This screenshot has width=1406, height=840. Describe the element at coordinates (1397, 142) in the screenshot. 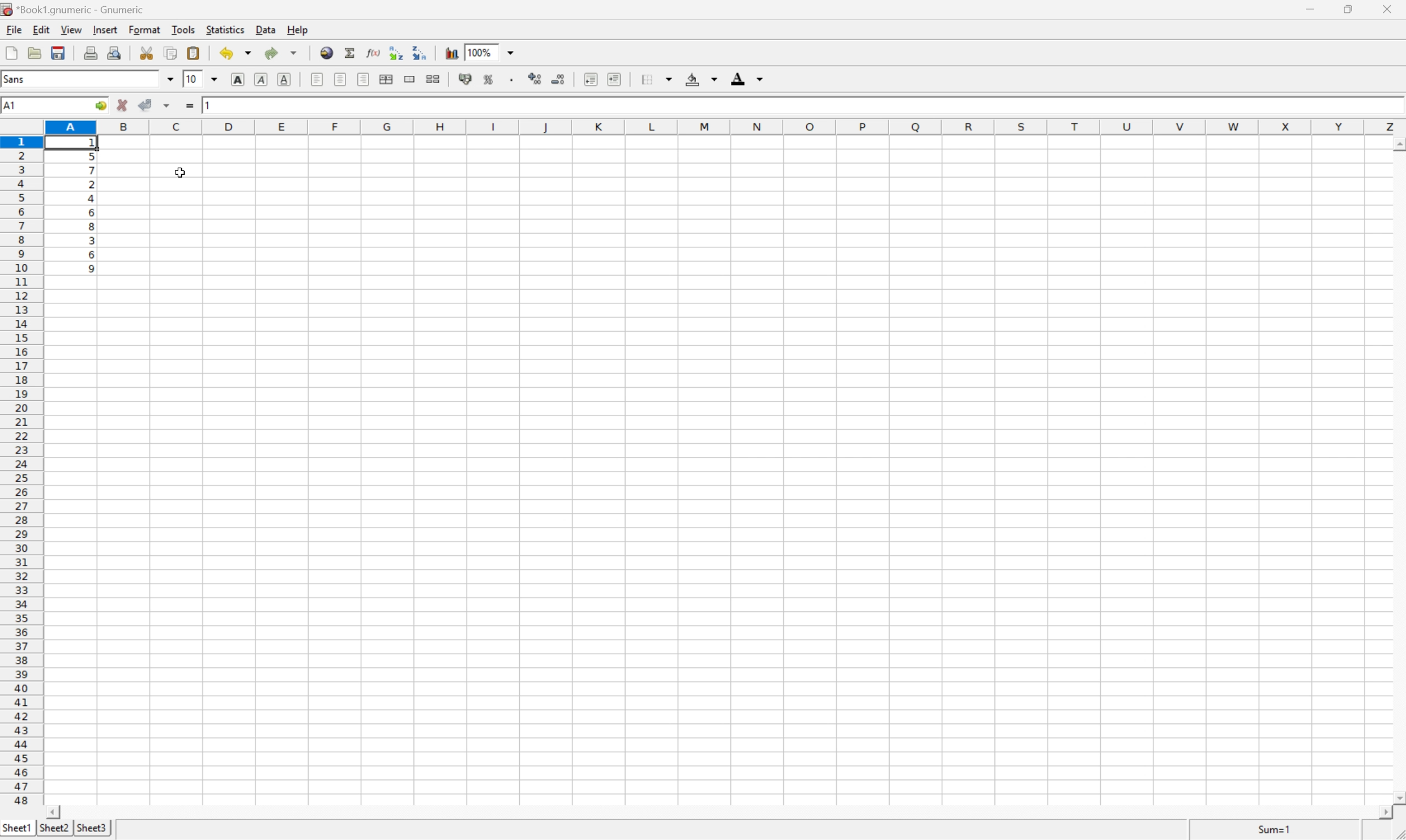

I see `scroll up` at that location.